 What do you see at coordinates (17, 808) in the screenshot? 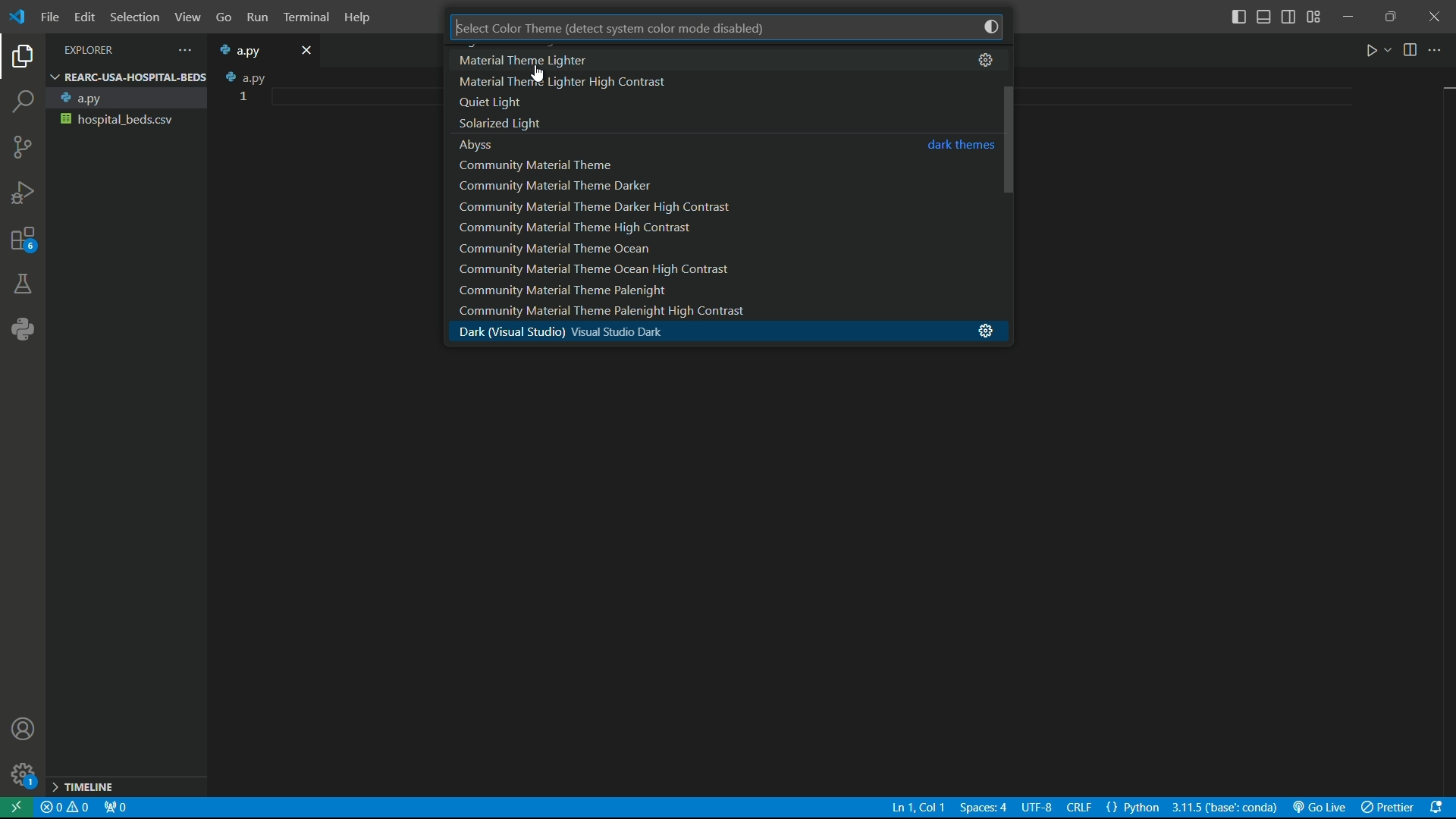
I see `open a remote window` at bounding box center [17, 808].